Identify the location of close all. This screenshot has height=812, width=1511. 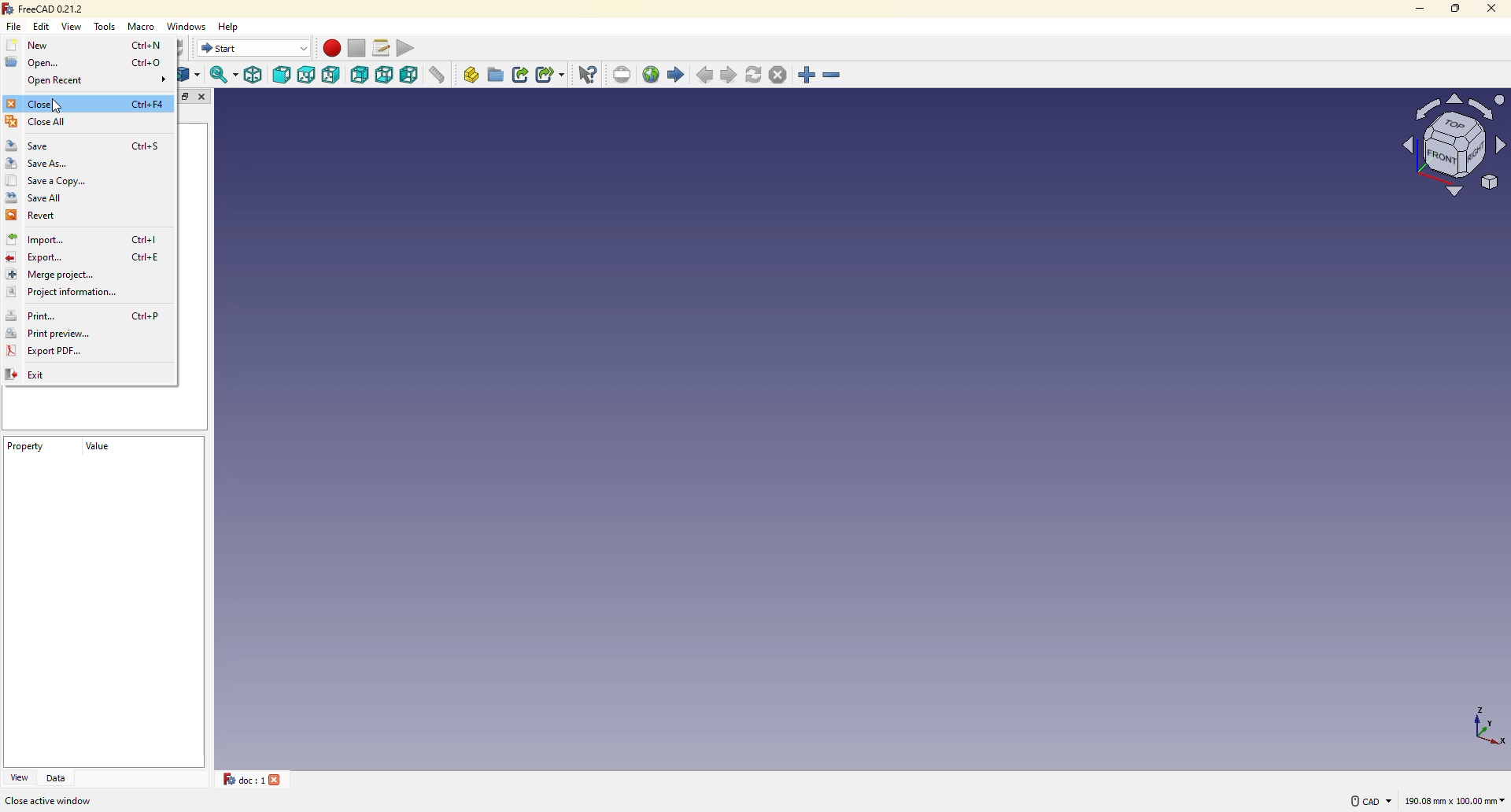
(39, 122).